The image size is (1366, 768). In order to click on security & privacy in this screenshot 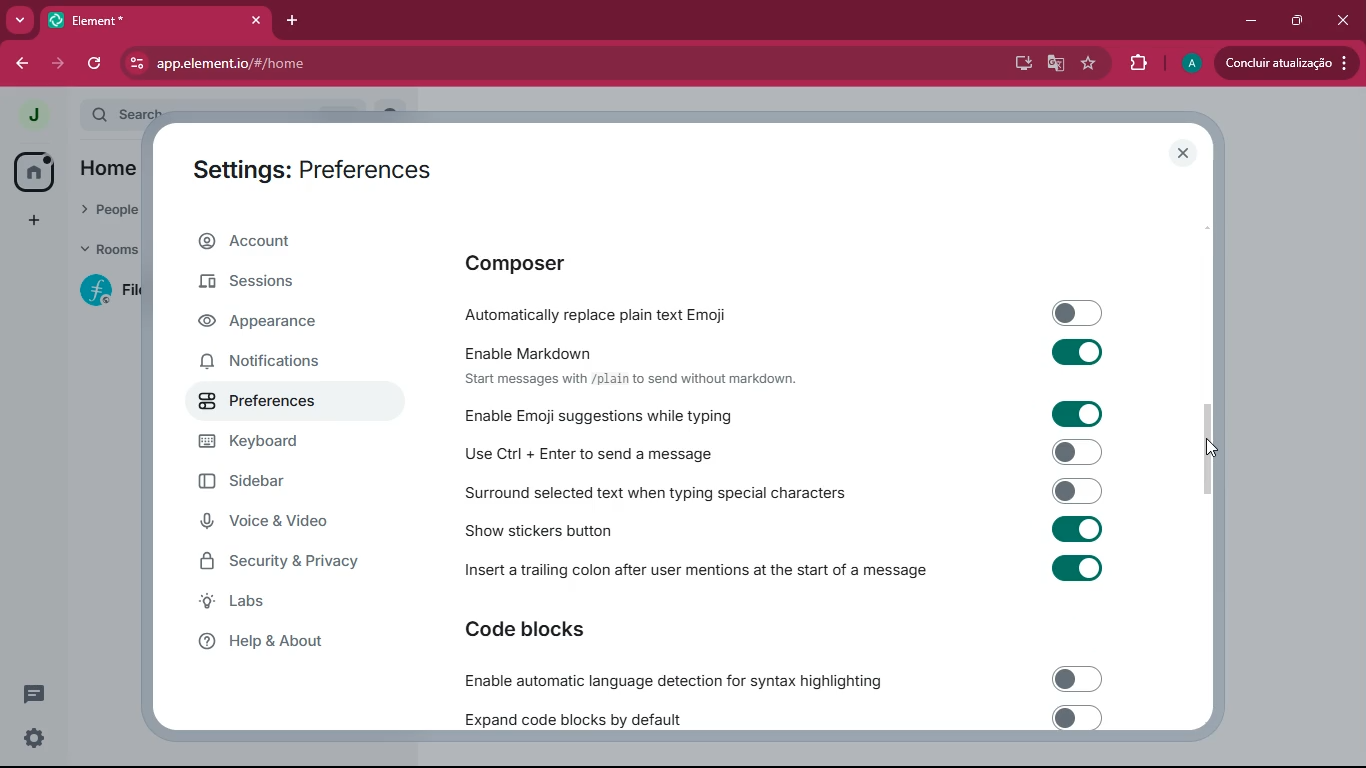, I will do `click(281, 560)`.